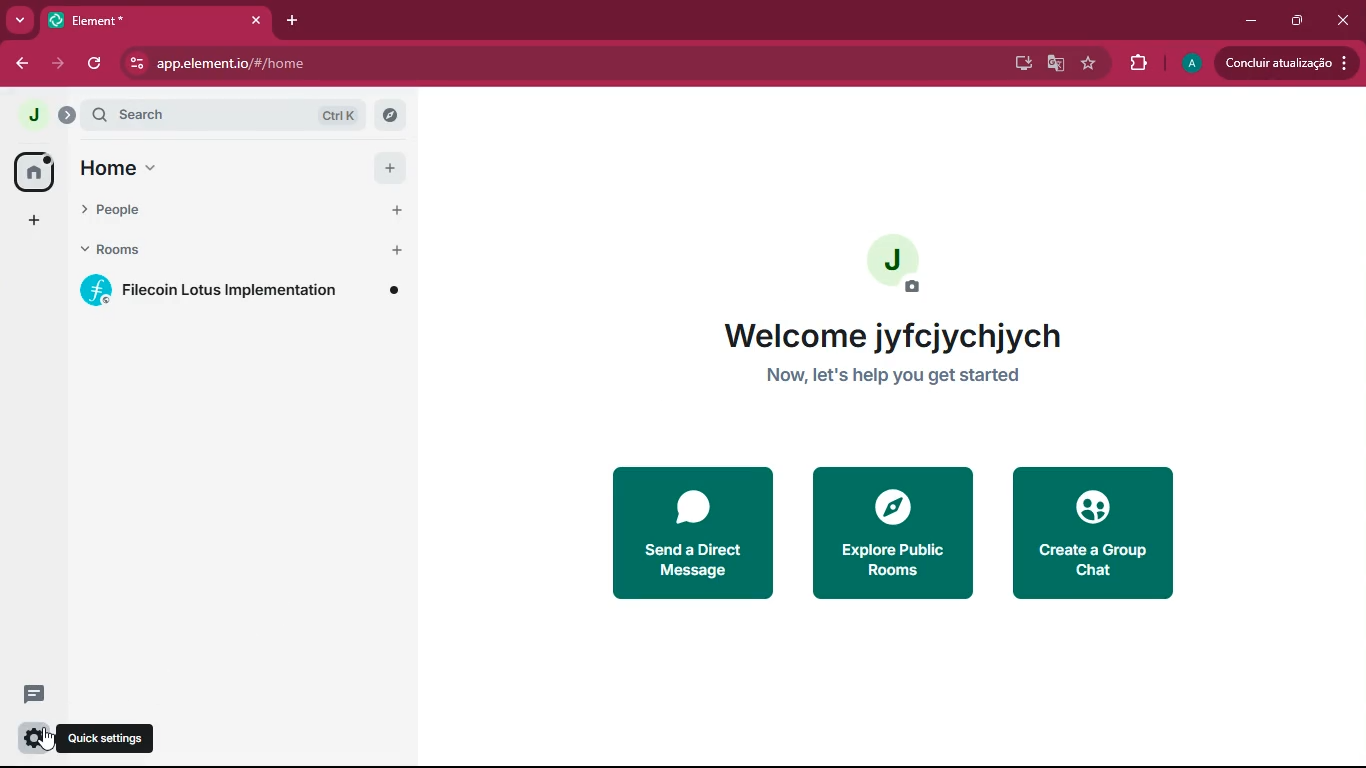  What do you see at coordinates (689, 534) in the screenshot?
I see `send a direct message` at bounding box center [689, 534].